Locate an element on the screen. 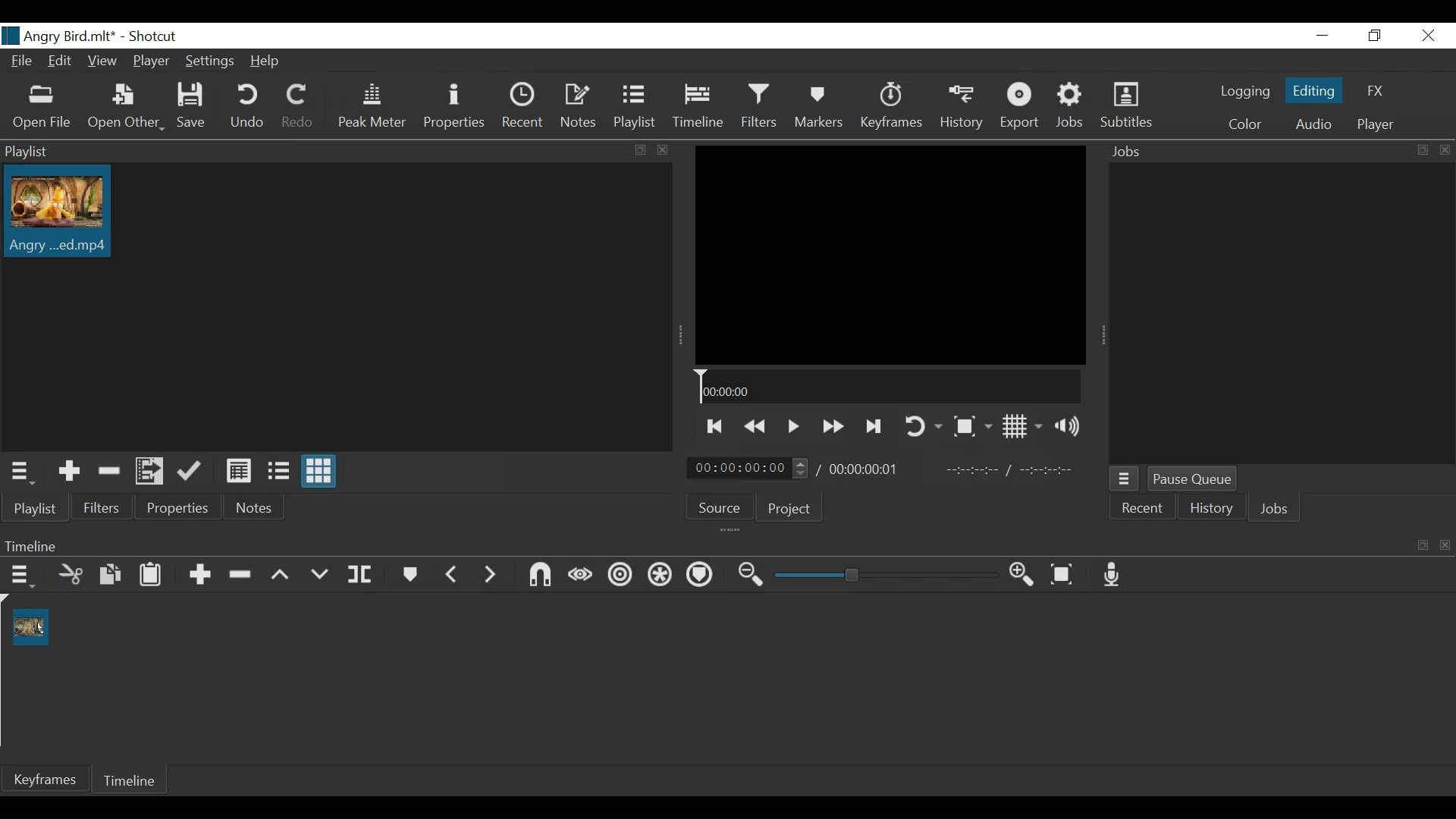 The height and width of the screenshot is (819, 1456). Skip to the next point is located at coordinates (872, 428).